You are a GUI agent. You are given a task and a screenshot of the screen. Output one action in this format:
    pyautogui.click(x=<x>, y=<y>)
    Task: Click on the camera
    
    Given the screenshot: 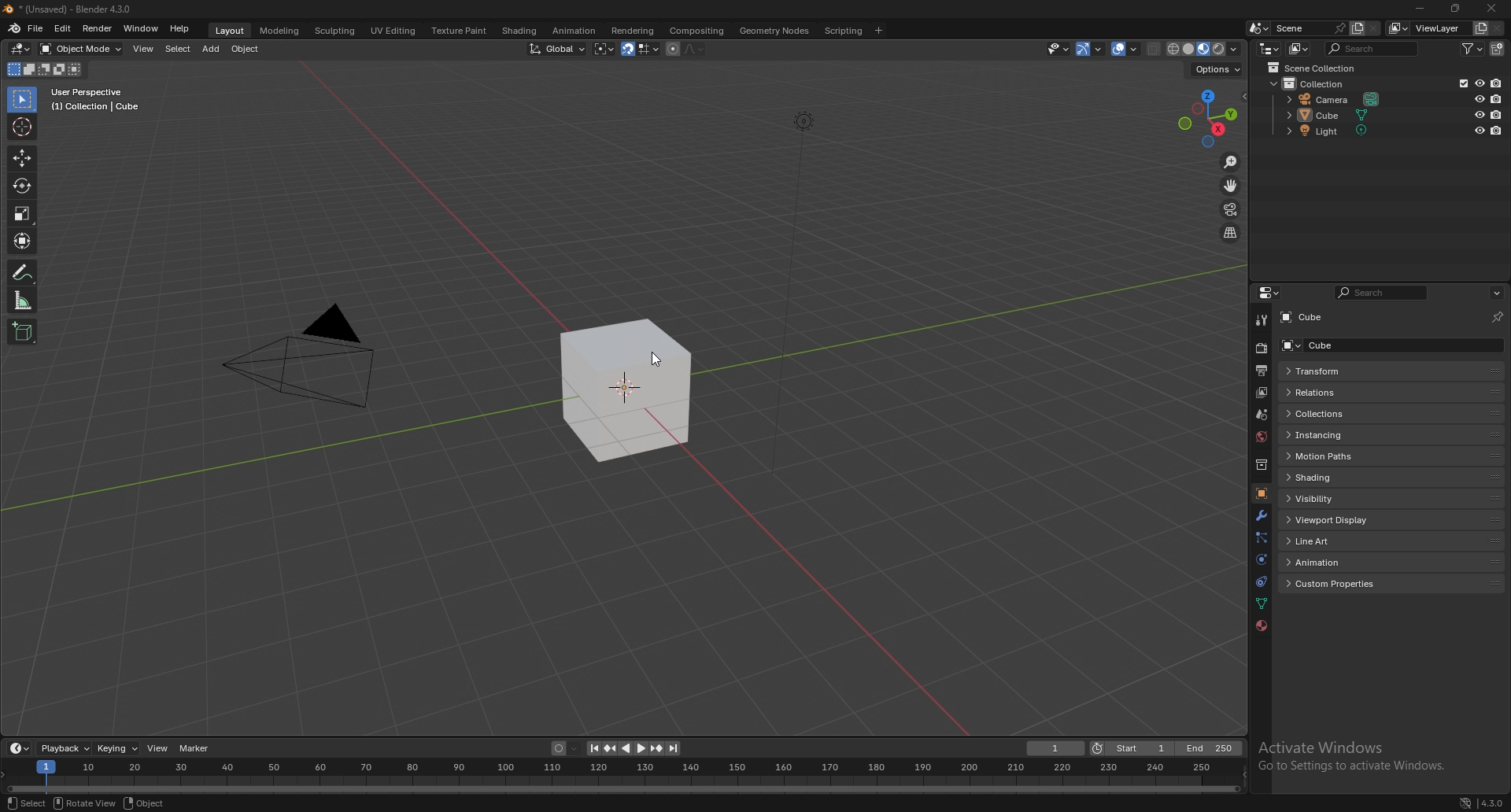 What is the action you would take?
    pyautogui.click(x=1336, y=100)
    